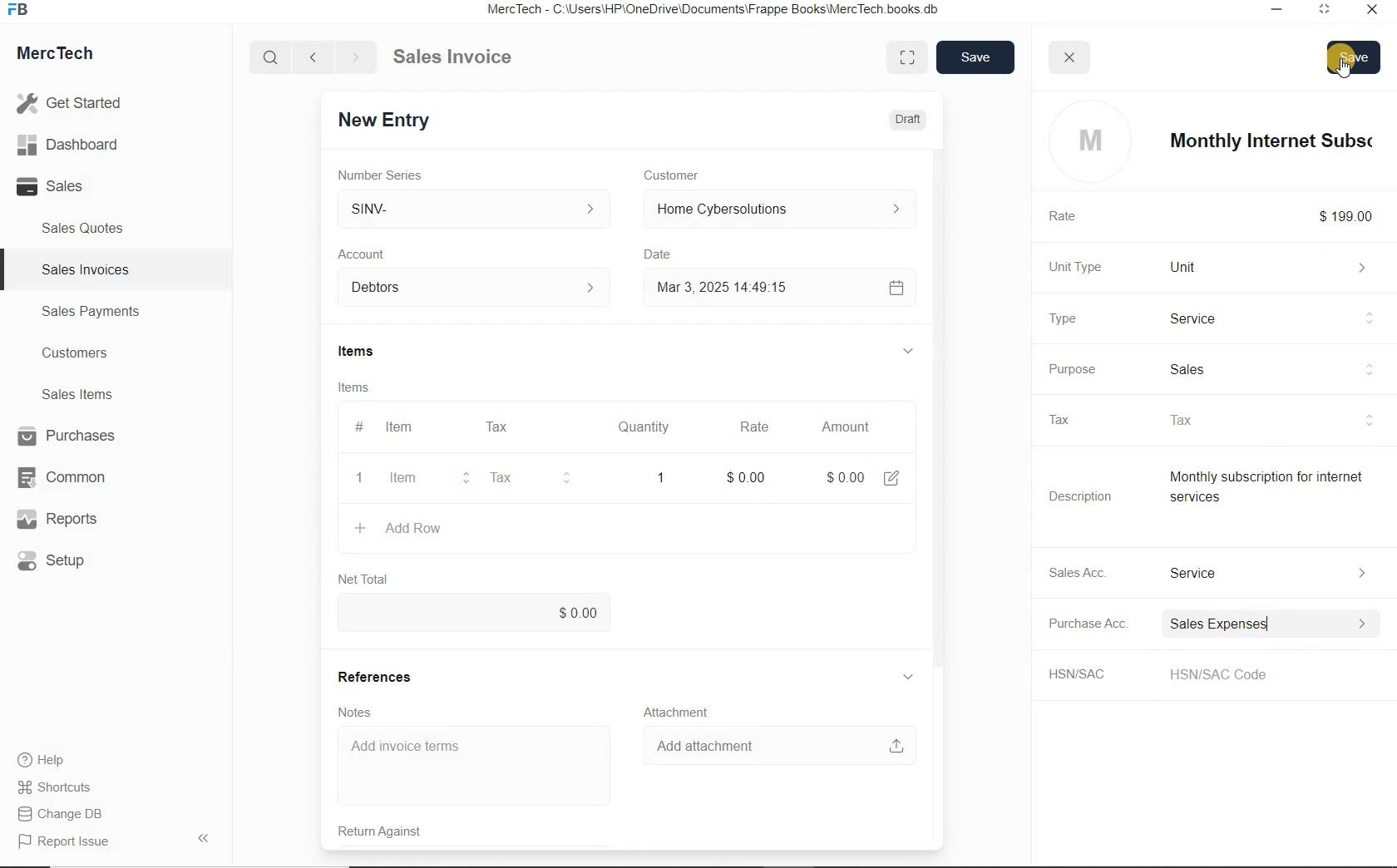  What do you see at coordinates (417, 529) in the screenshot?
I see `+ Add Row` at bounding box center [417, 529].